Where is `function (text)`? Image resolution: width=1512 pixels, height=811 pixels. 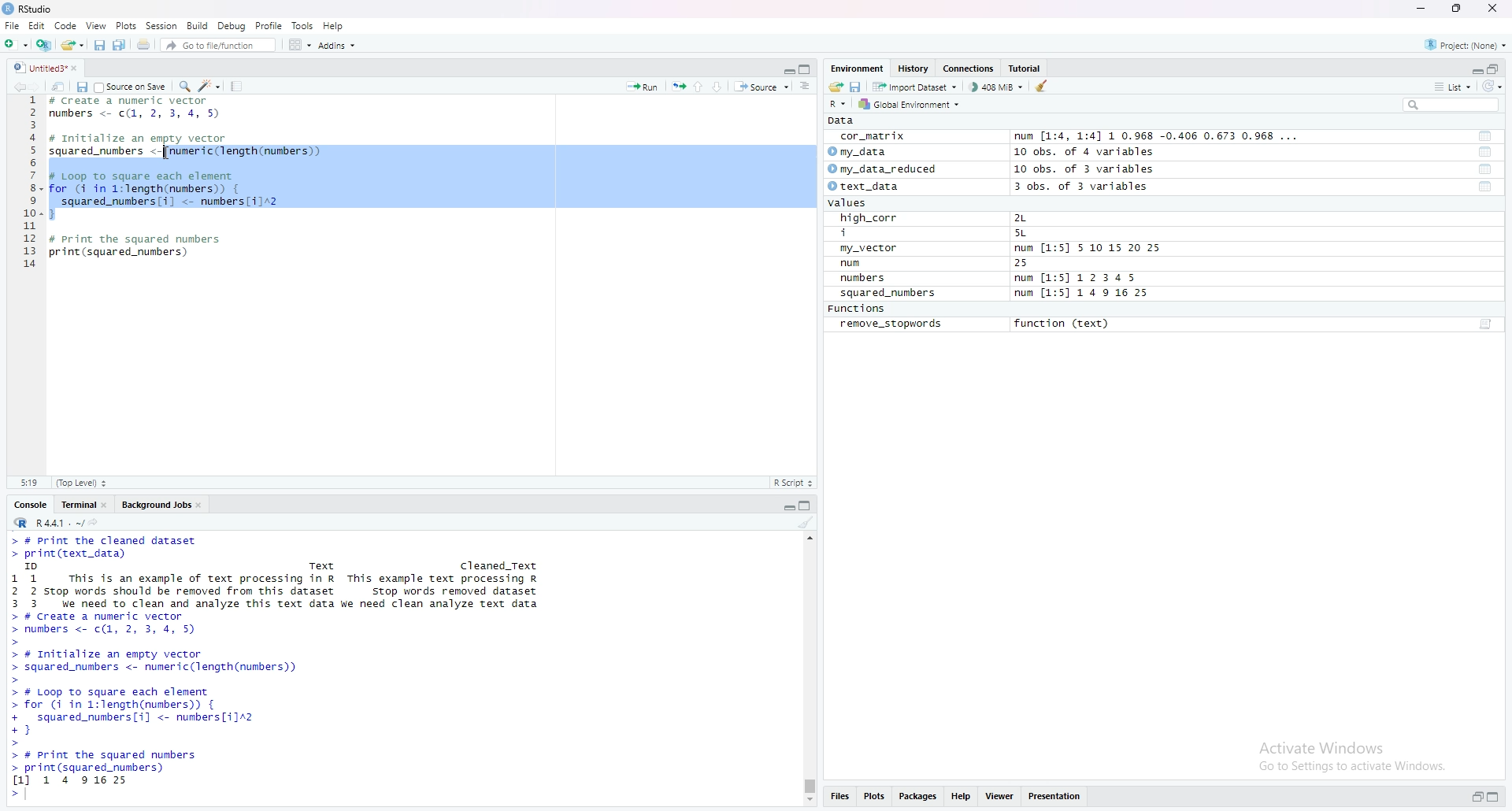 function (text) is located at coordinates (1064, 324).